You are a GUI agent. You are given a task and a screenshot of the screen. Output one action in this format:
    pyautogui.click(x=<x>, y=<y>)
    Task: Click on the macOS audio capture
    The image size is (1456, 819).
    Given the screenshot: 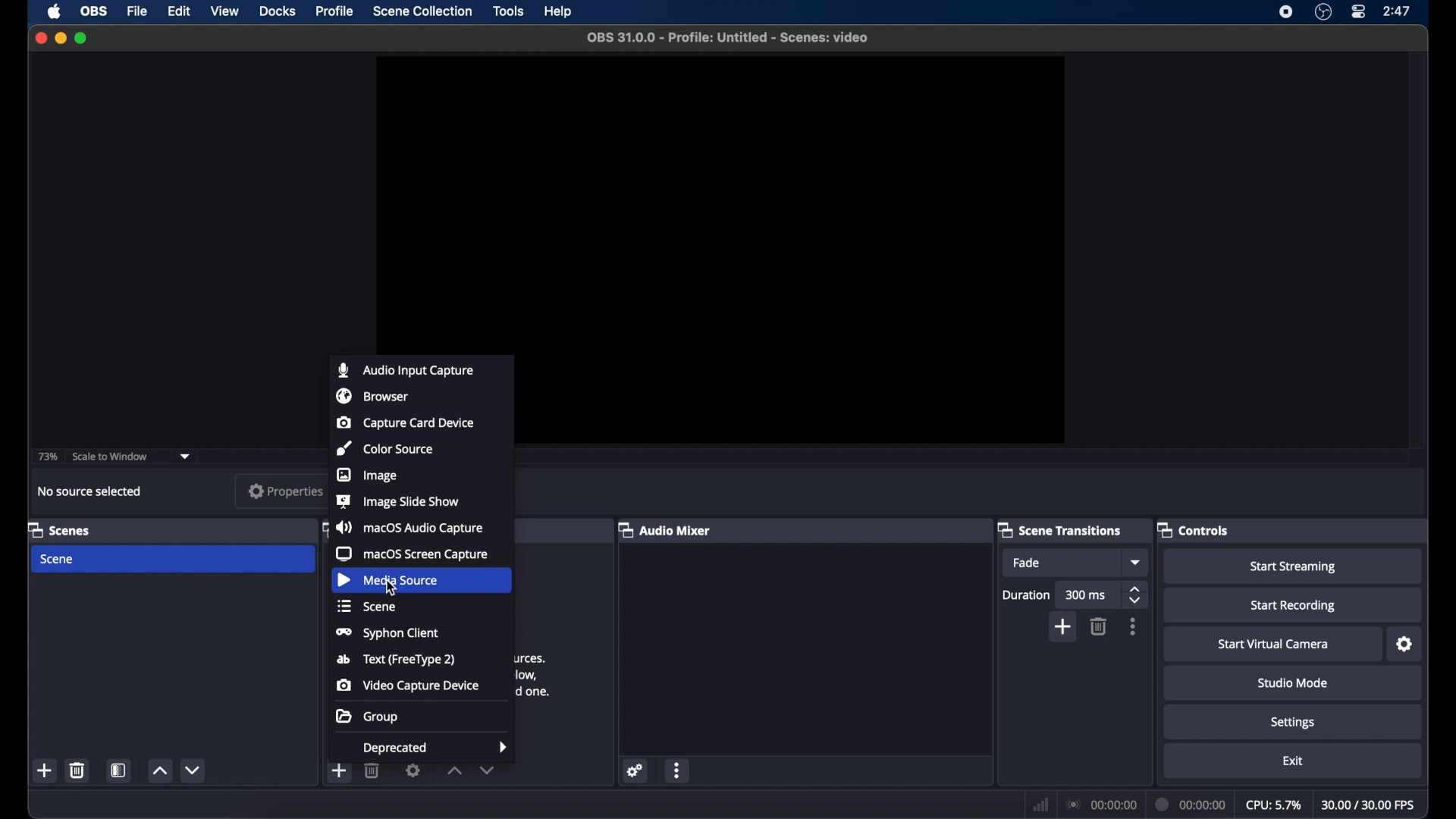 What is the action you would take?
    pyautogui.click(x=409, y=527)
    